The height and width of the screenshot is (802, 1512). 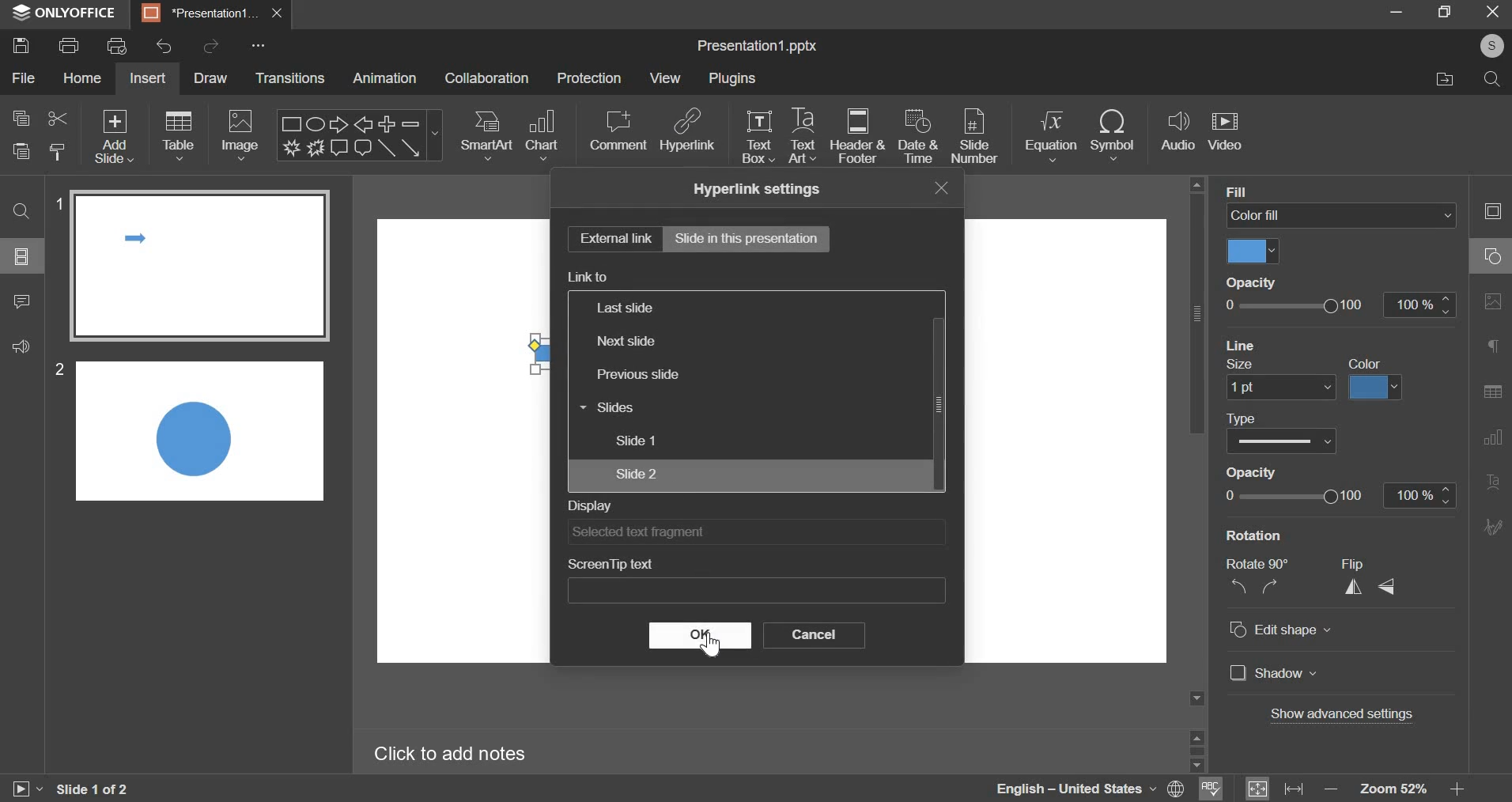 I want to click on 2, so click(x=59, y=370).